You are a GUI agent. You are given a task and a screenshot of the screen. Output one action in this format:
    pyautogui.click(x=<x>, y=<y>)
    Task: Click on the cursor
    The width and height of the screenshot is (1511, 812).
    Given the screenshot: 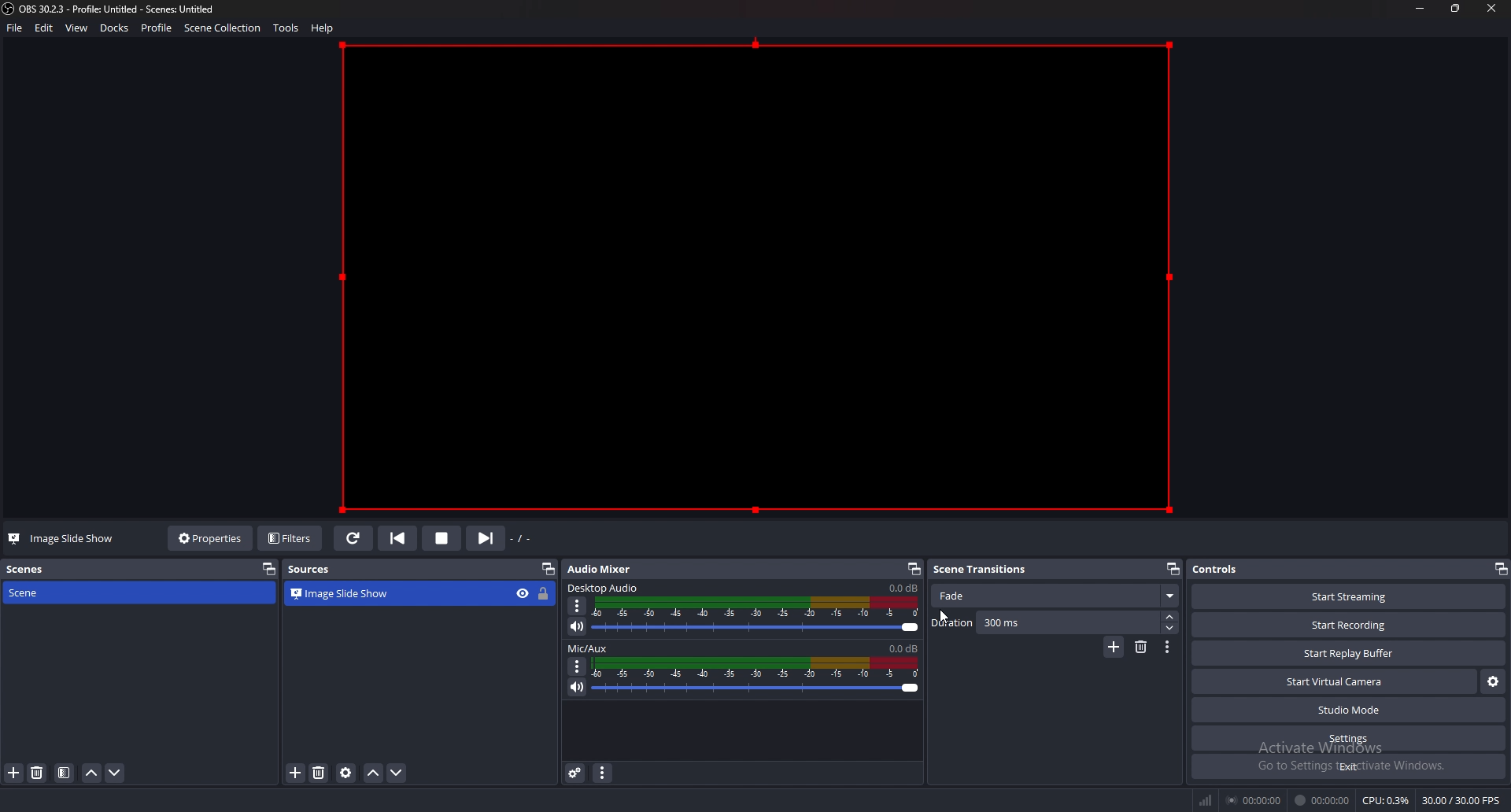 What is the action you would take?
    pyautogui.click(x=949, y=615)
    